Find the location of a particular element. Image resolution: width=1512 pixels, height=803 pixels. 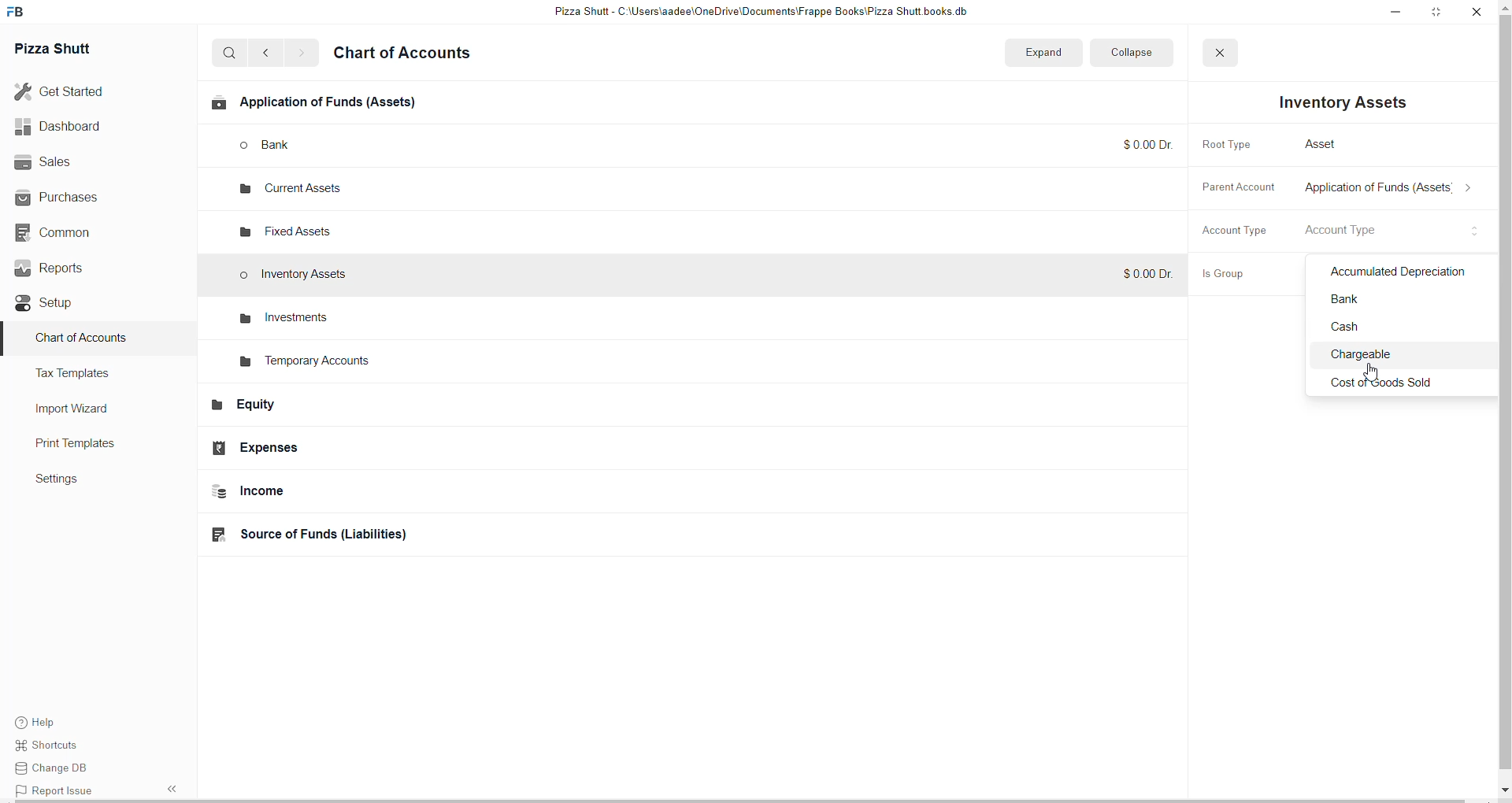

investments  is located at coordinates (281, 318).